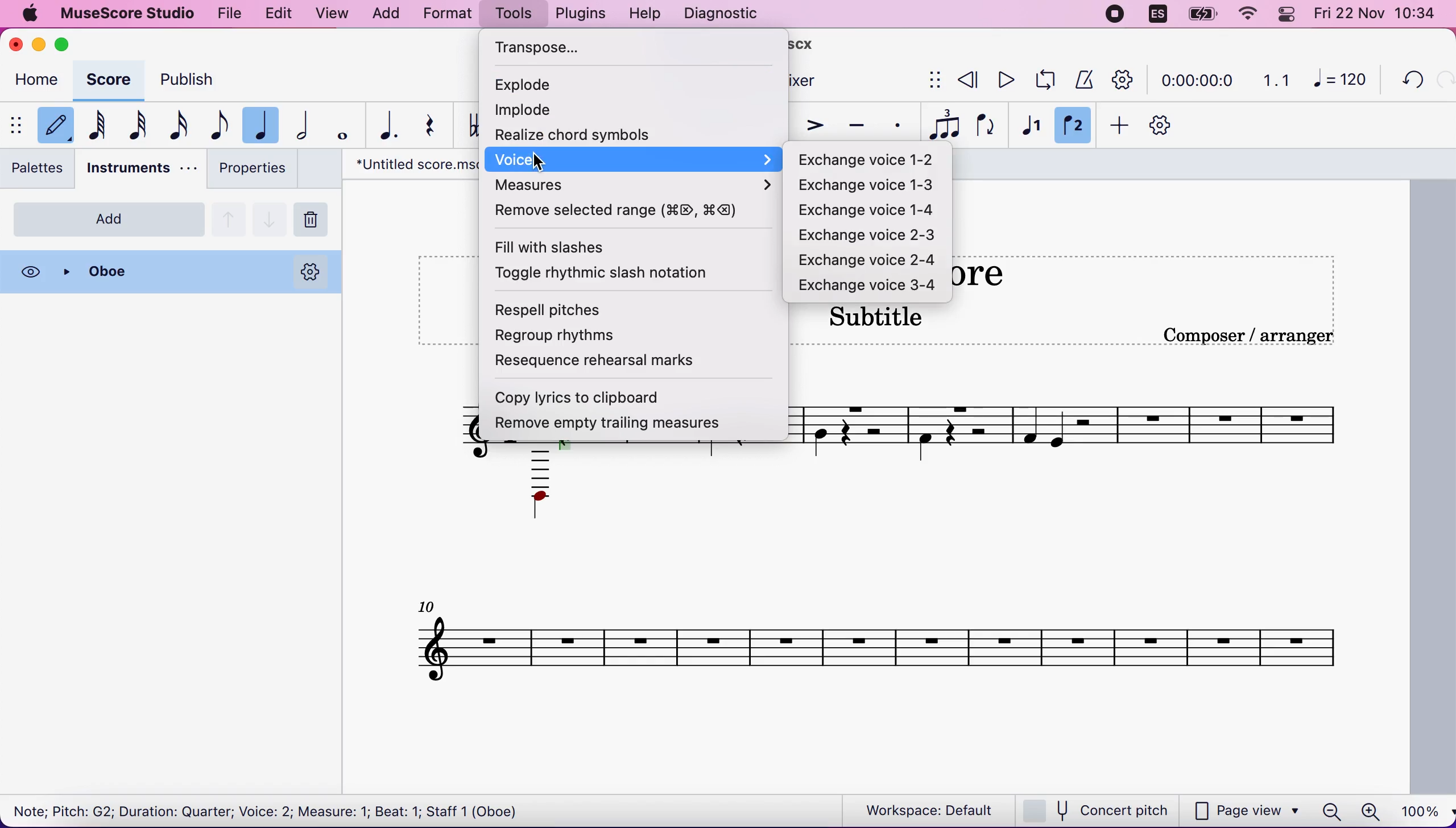 The width and height of the screenshot is (1456, 828). Describe the element at coordinates (67, 43) in the screenshot. I see `maximize` at that location.